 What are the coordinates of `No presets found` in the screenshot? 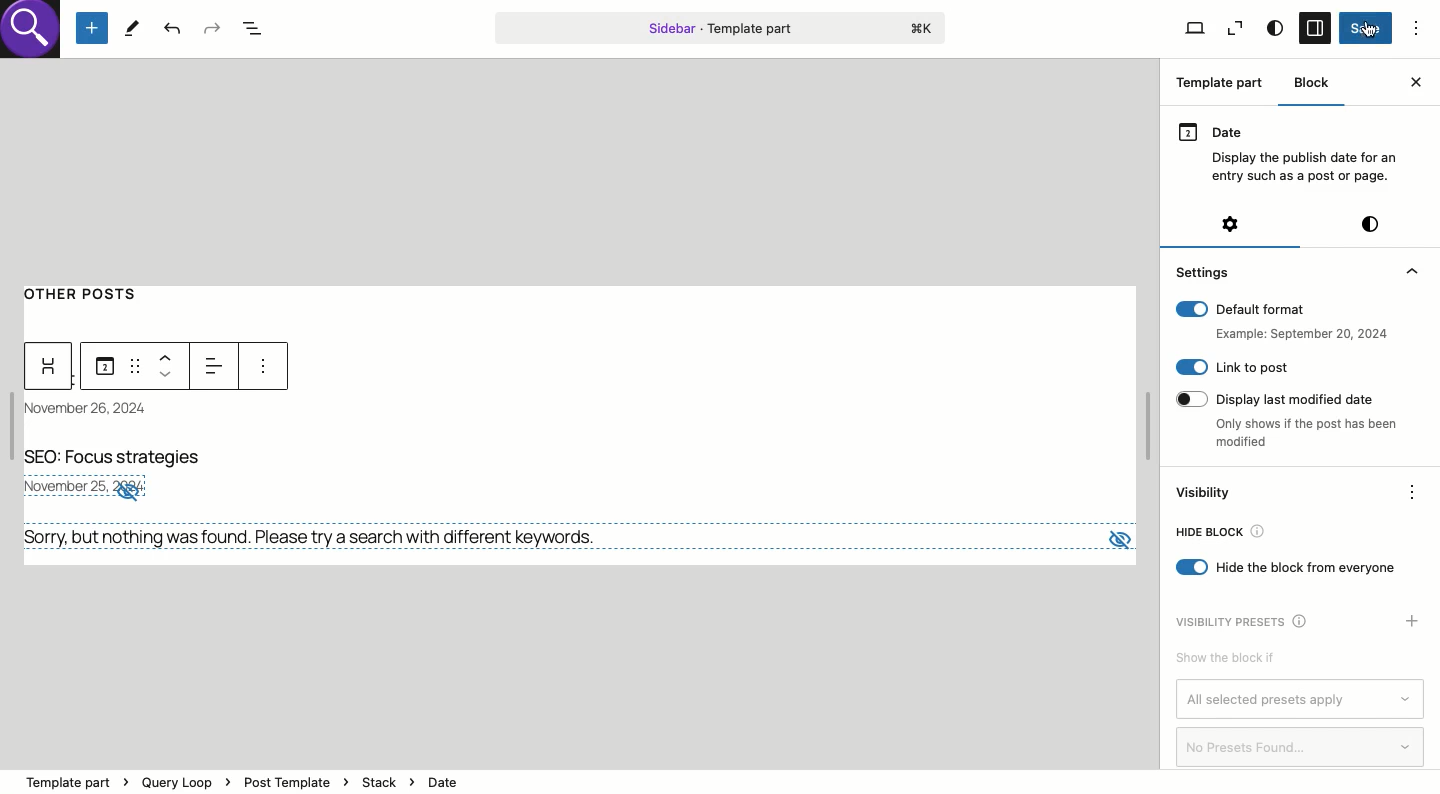 It's located at (1302, 747).